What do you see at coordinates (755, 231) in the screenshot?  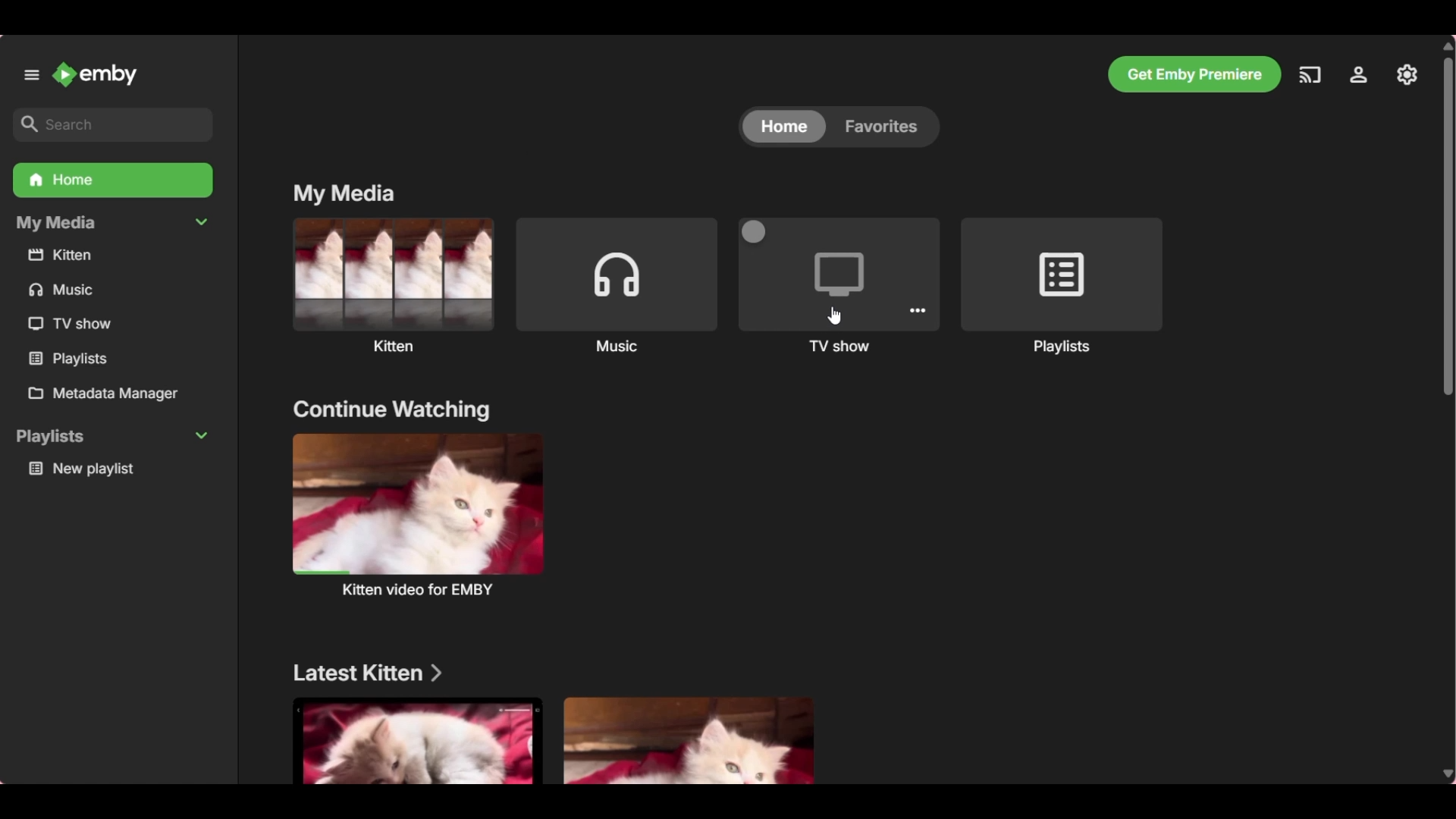 I see `Multi-select` at bounding box center [755, 231].